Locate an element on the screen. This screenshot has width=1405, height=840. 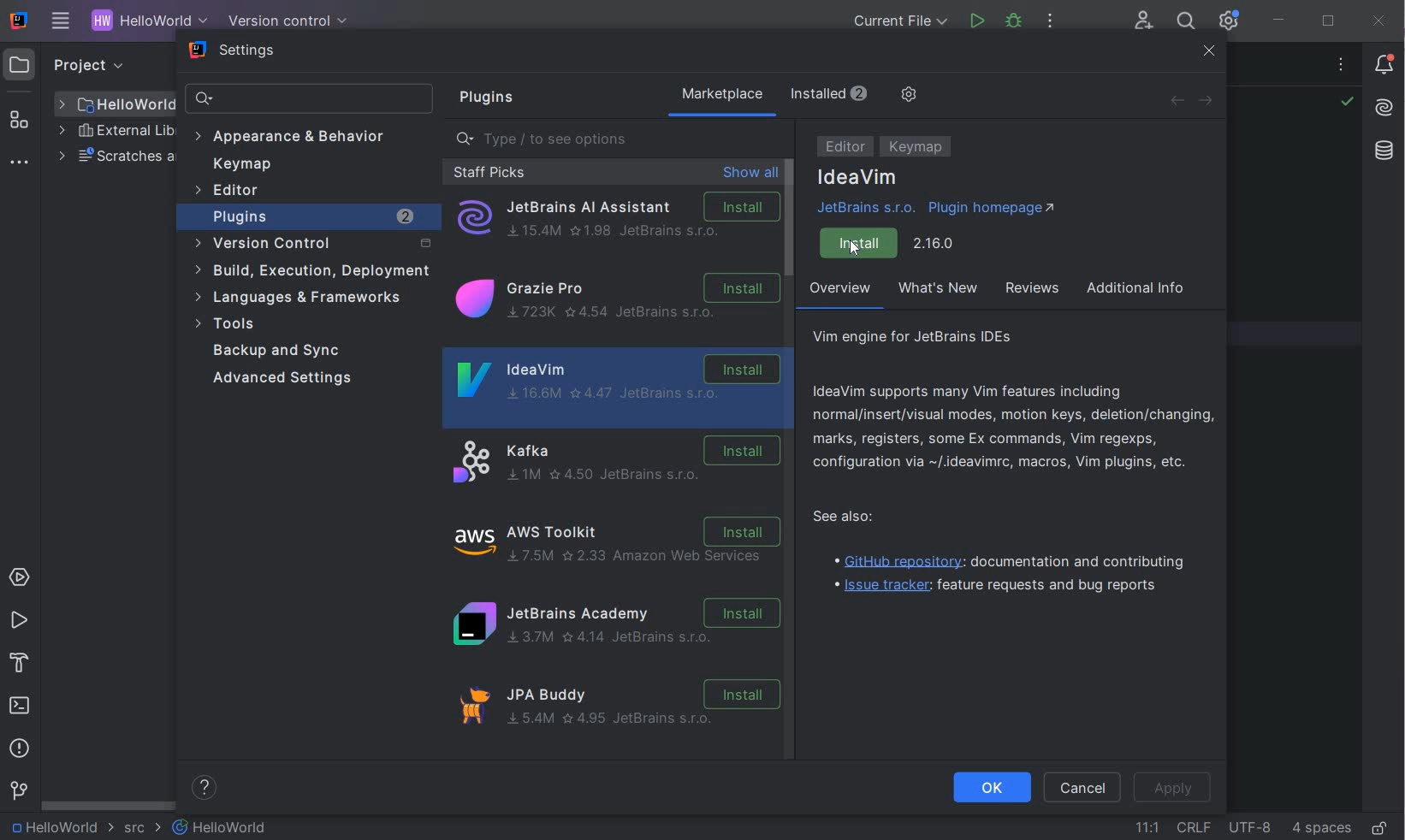
search settings is located at coordinates (311, 99).